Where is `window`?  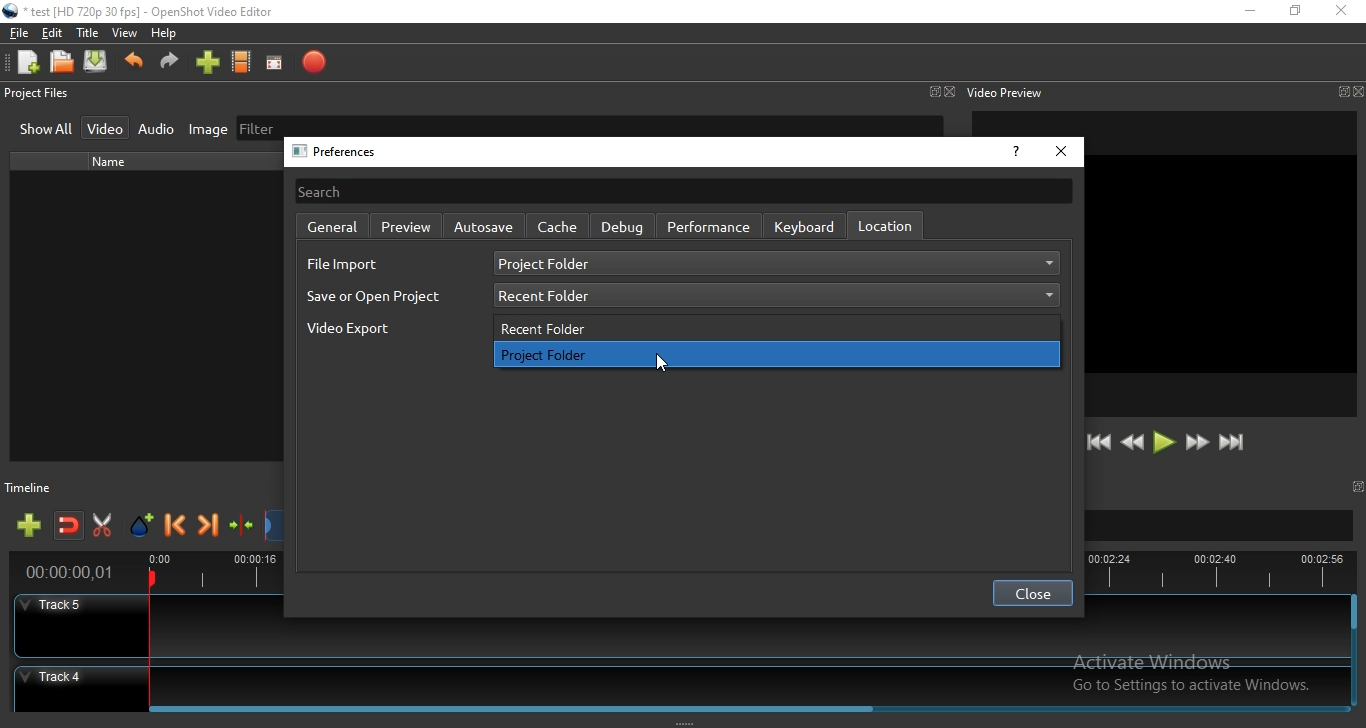 window is located at coordinates (1360, 486).